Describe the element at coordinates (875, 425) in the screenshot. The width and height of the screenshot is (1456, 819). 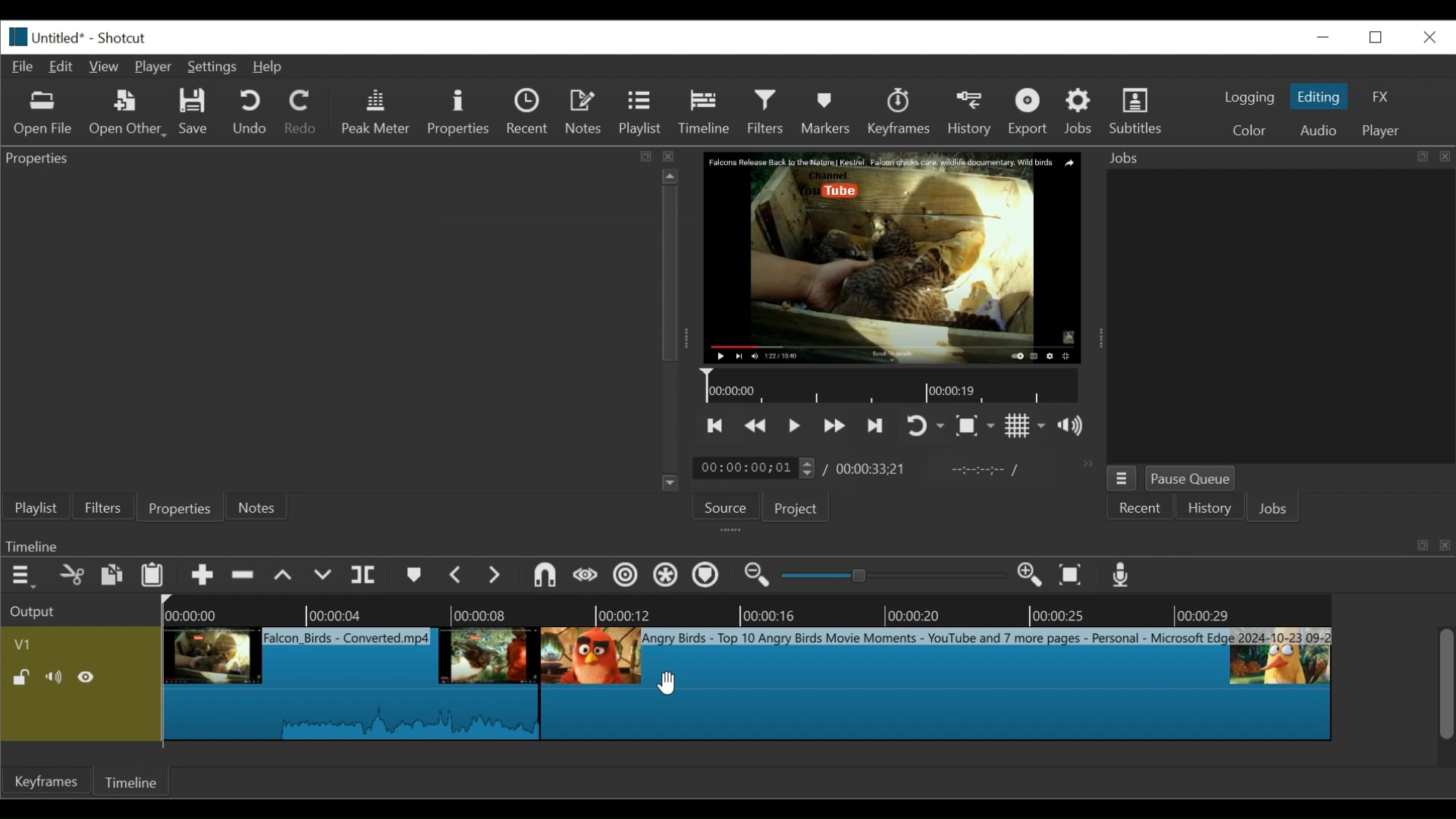
I see `Skip to the next point` at that location.